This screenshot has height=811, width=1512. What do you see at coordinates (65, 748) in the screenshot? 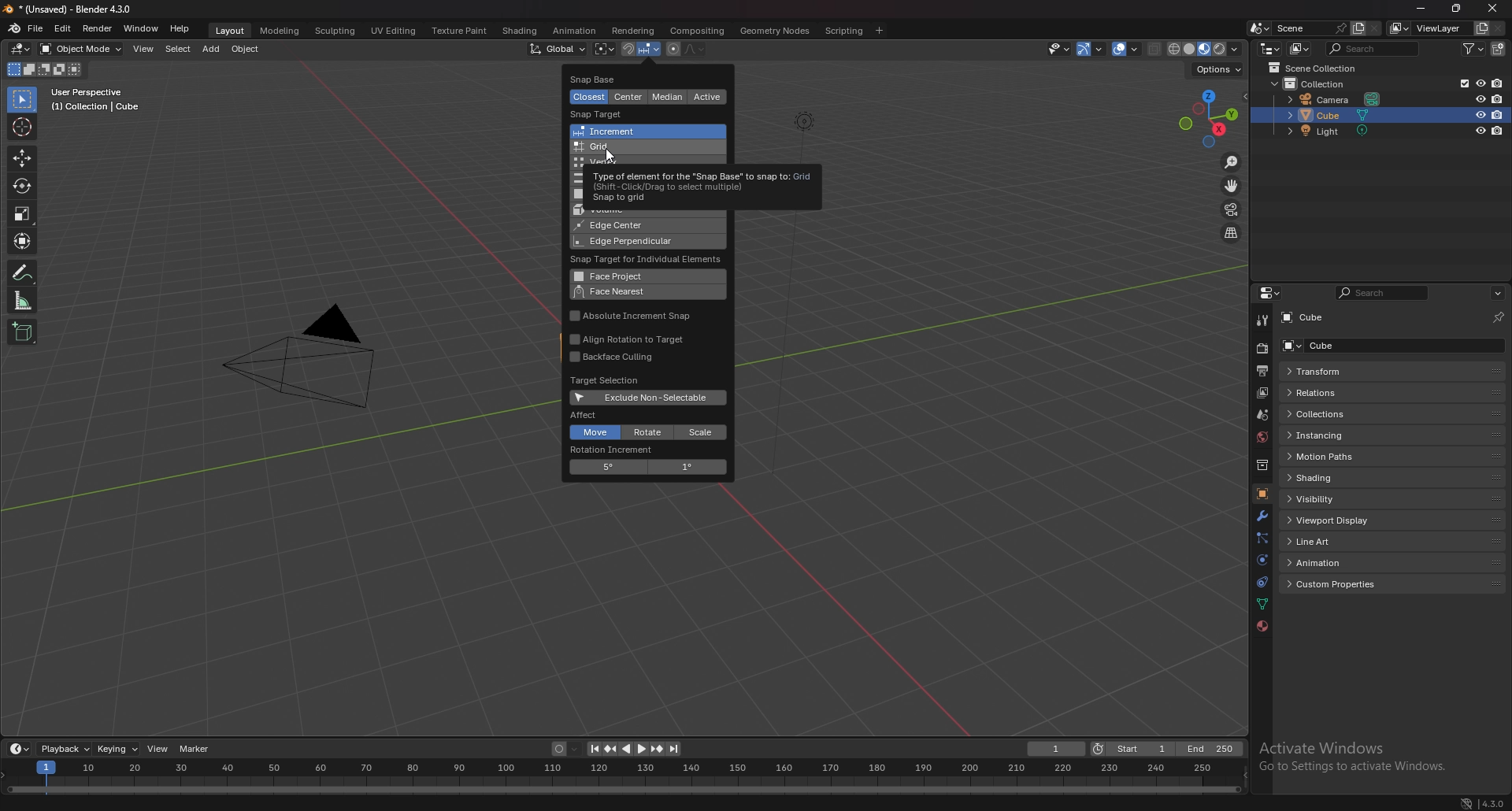
I see `playback` at bounding box center [65, 748].